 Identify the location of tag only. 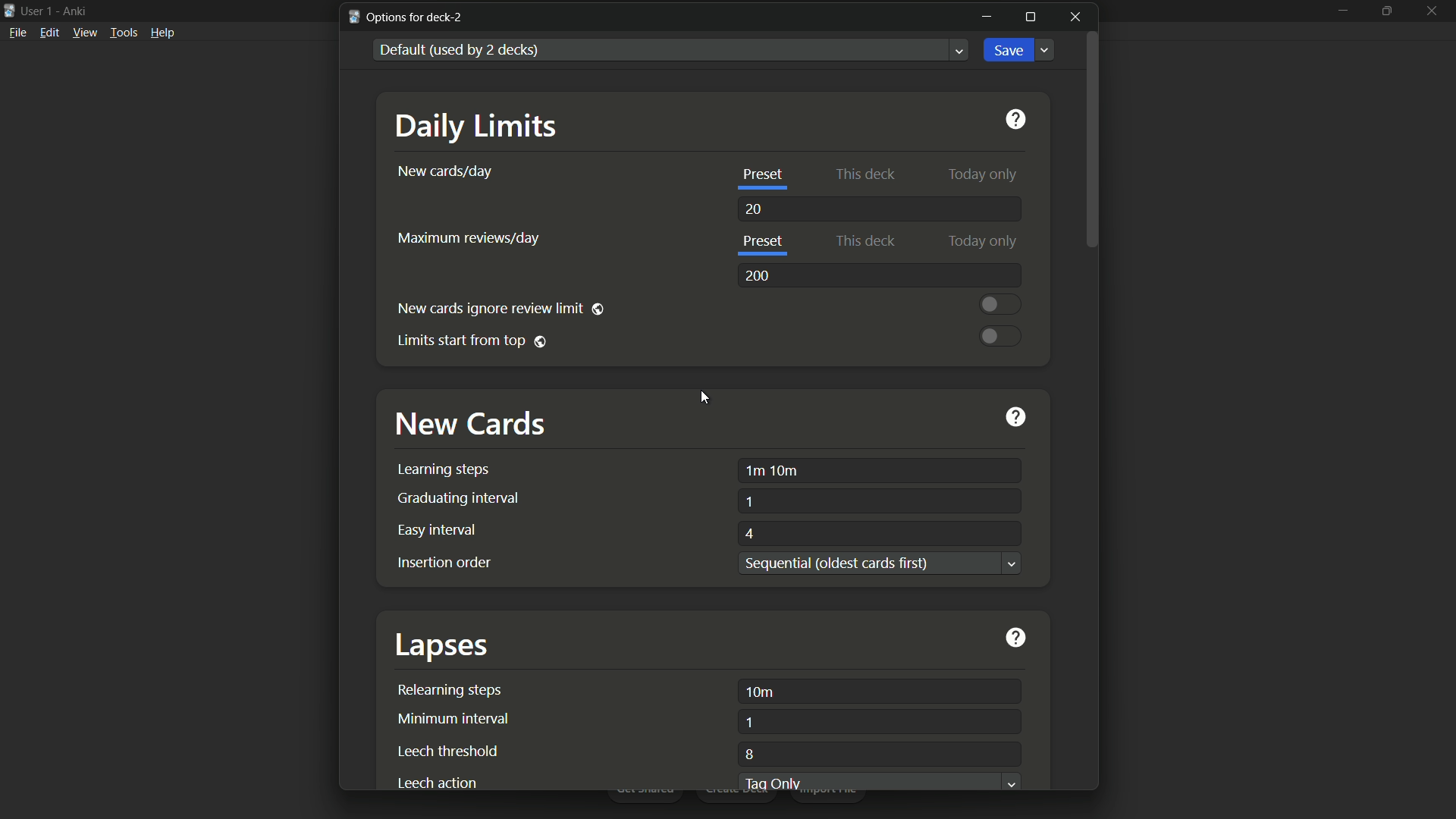
(865, 780).